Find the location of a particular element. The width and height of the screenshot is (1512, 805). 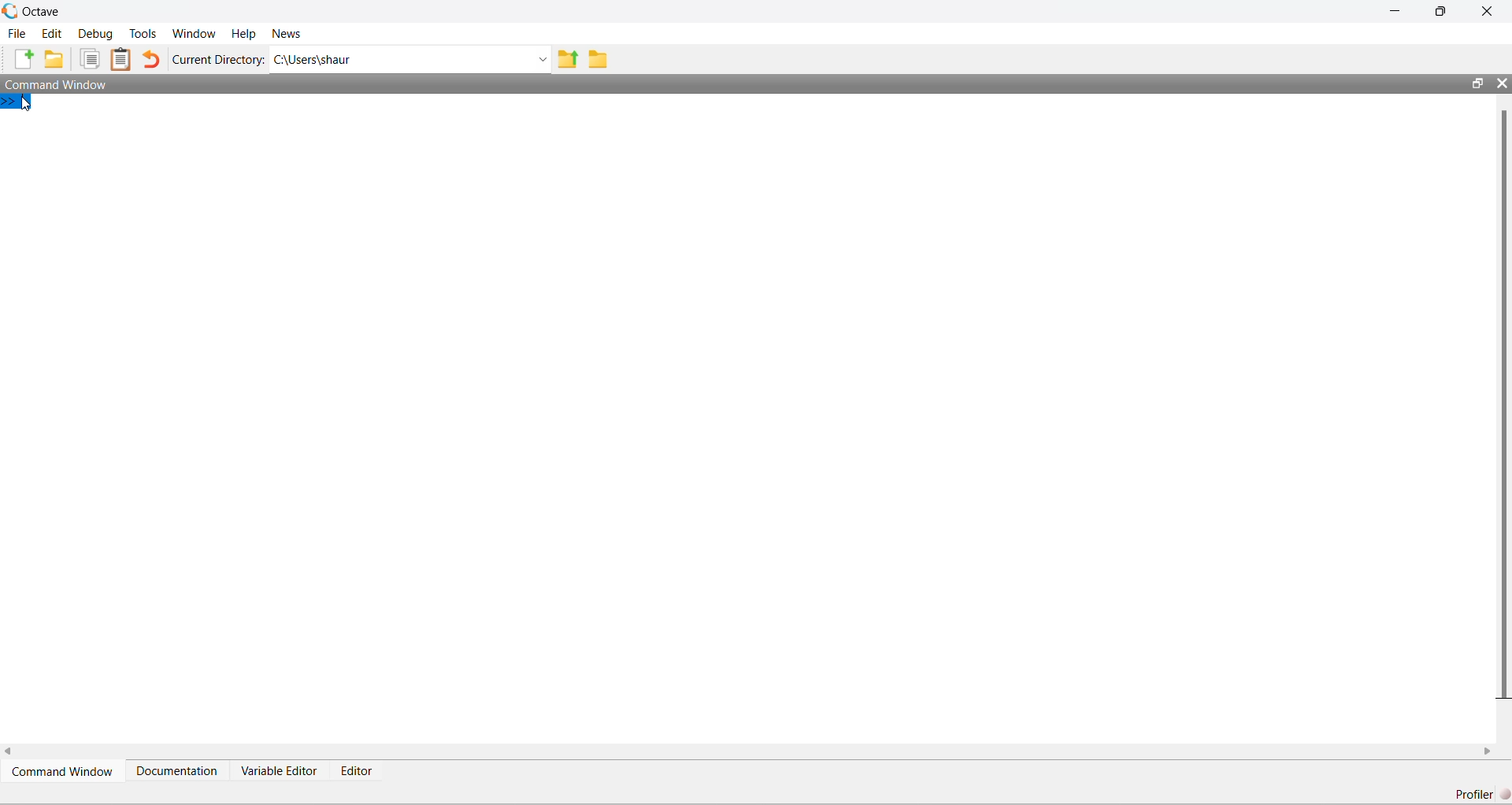

Undo is located at coordinates (150, 59).